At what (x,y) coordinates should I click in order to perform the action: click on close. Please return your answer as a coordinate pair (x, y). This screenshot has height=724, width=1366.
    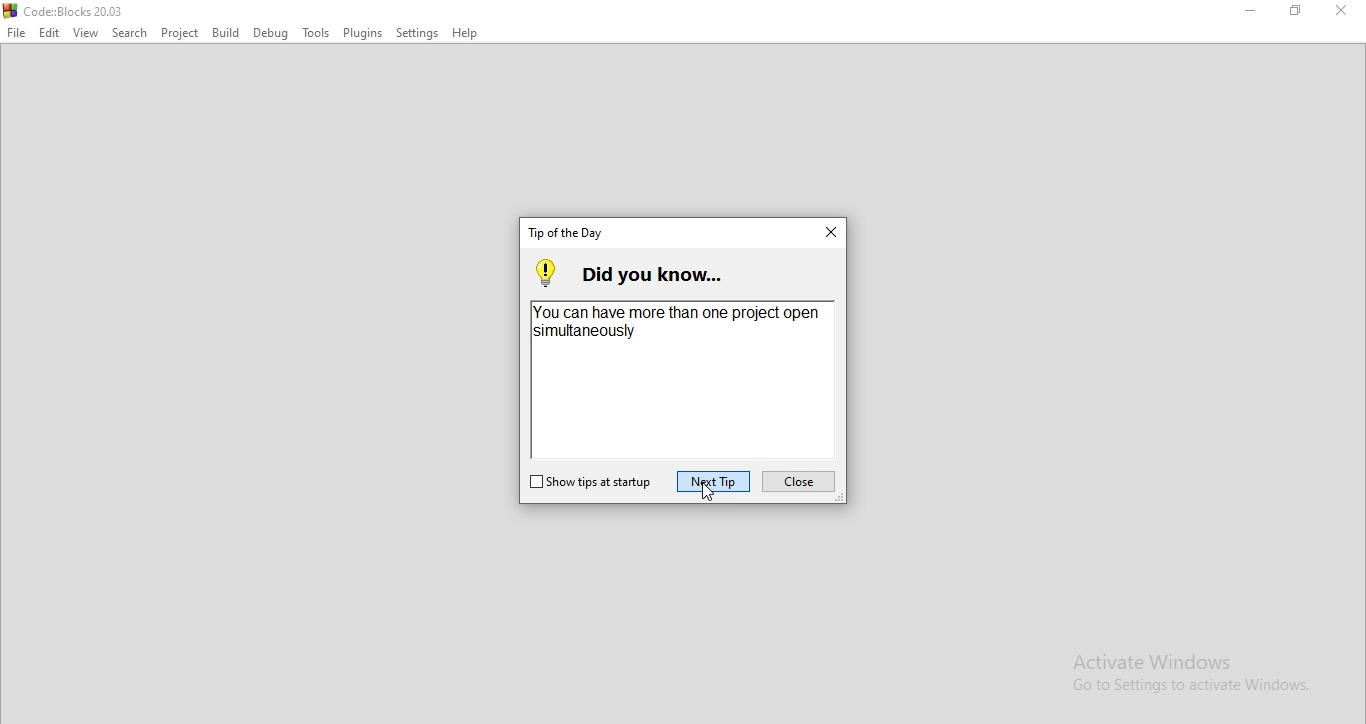
    Looking at the image, I should click on (799, 482).